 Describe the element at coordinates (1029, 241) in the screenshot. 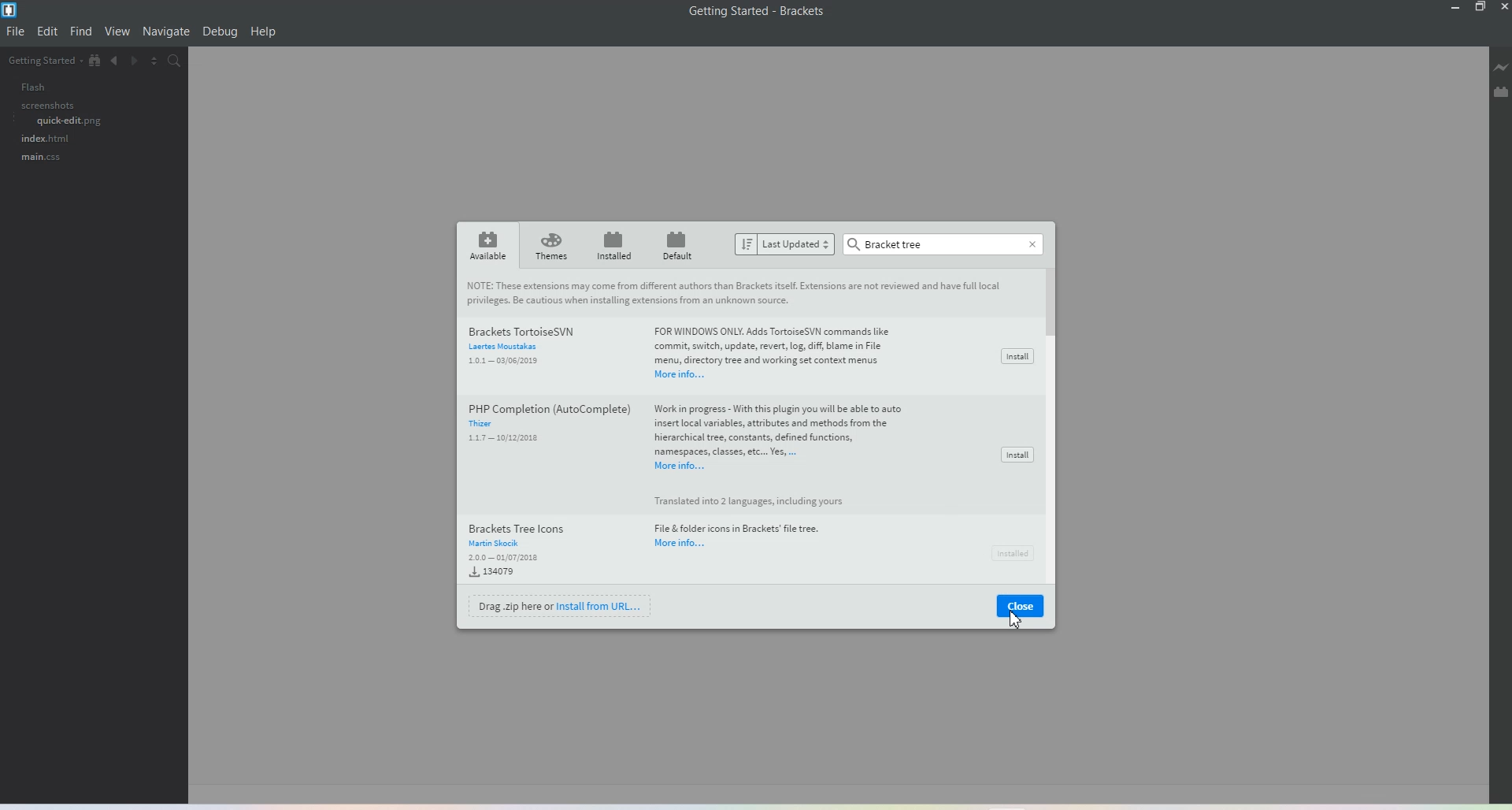

I see `Close` at that location.